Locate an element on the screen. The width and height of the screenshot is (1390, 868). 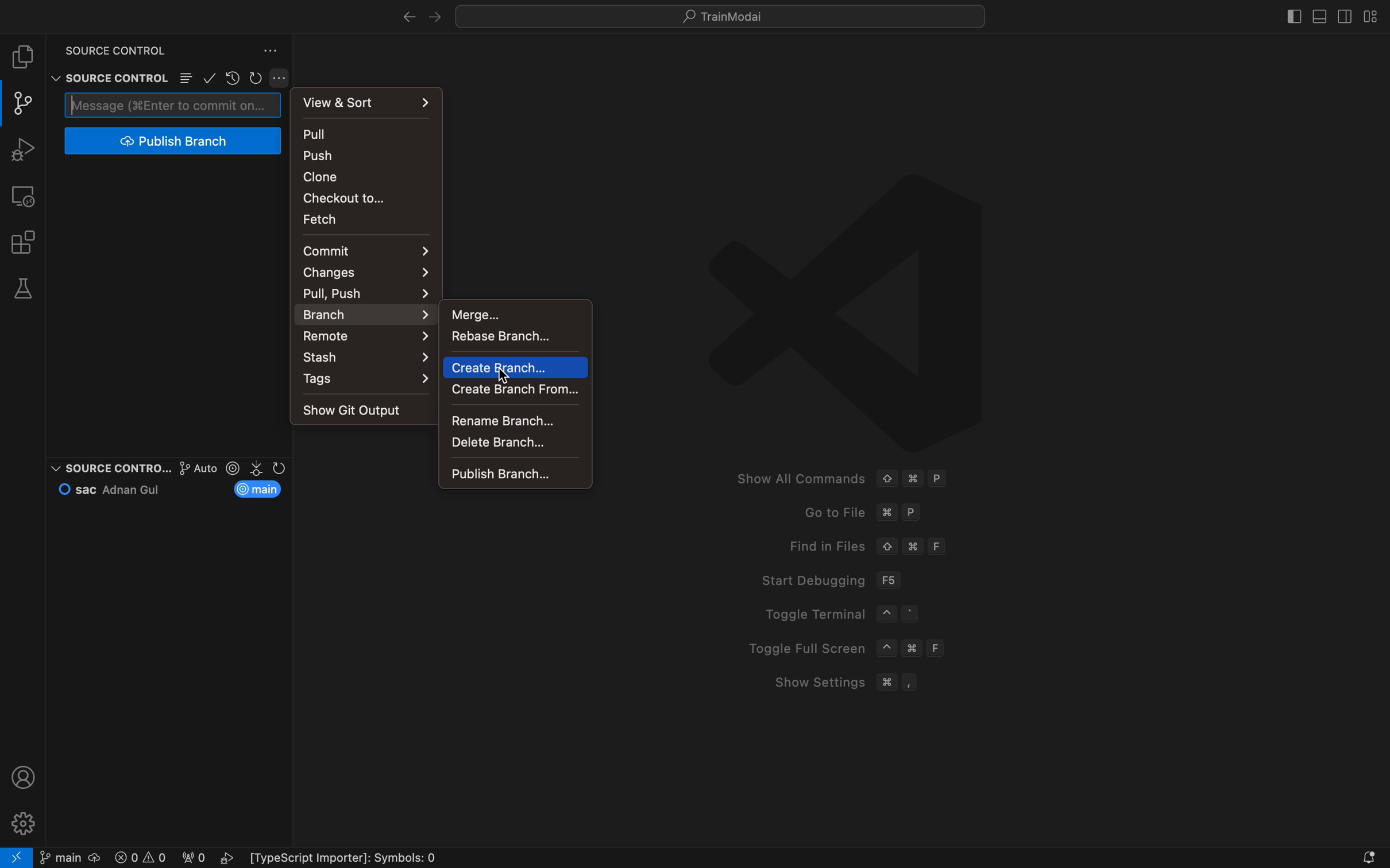
create a new branch is located at coordinates (515, 367).